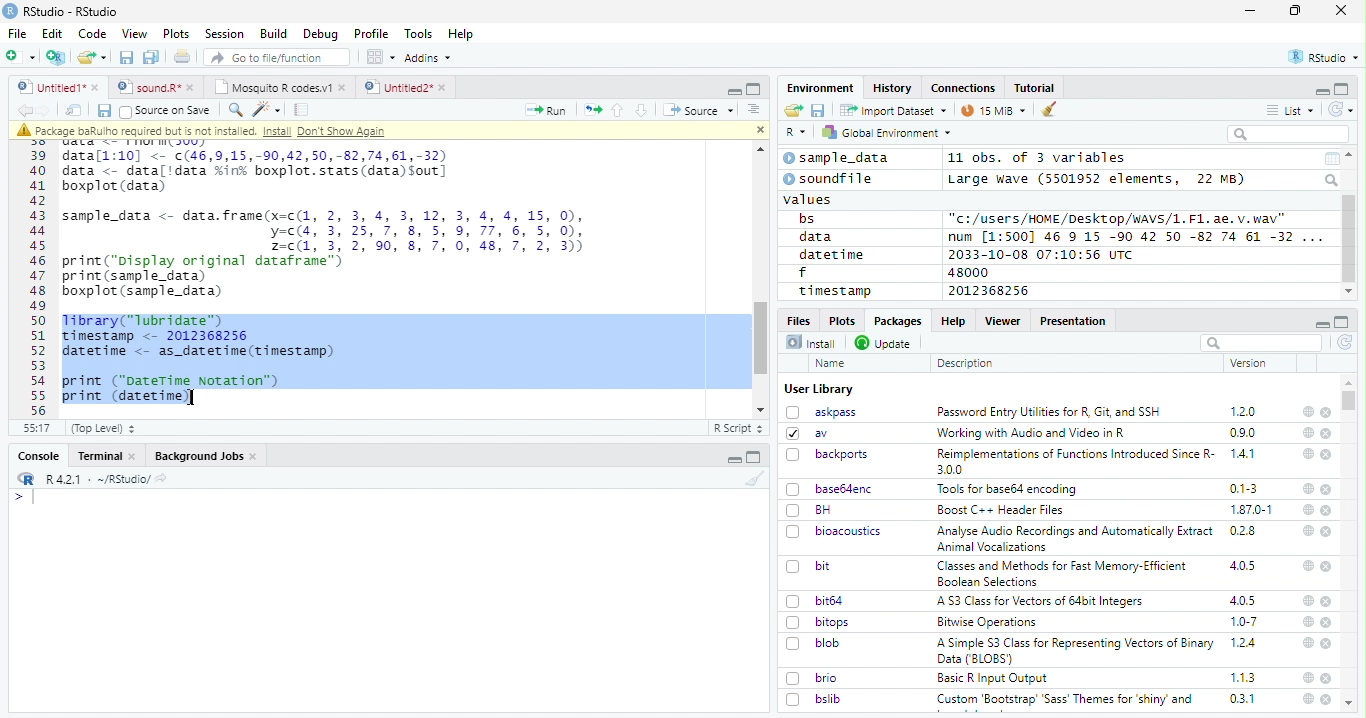 The height and width of the screenshot is (718, 1366). I want to click on Full screen, so click(754, 457).